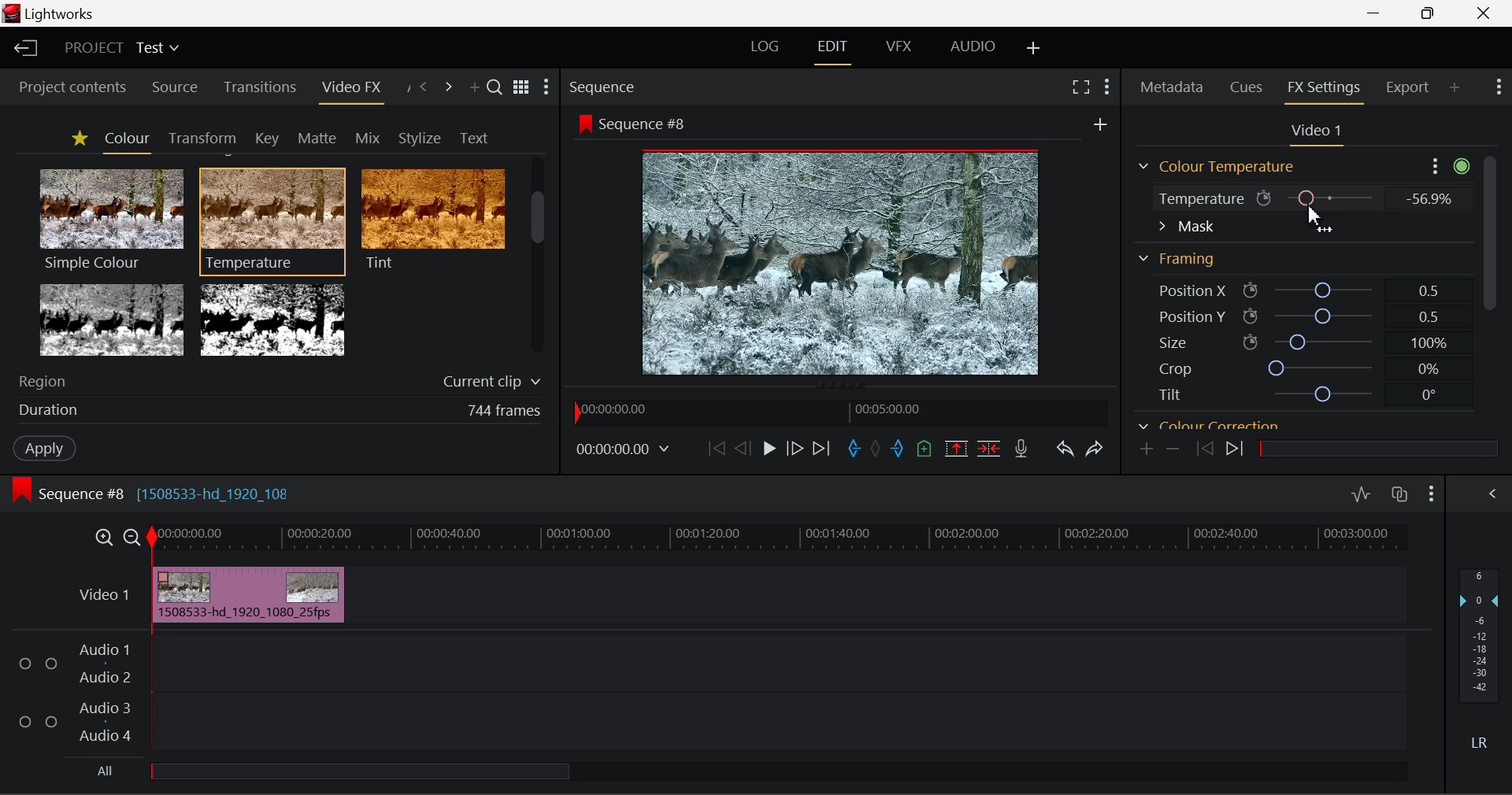  Describe the element at coordinates (767, 46) in the screenshot. I see `LOG Layout` at that location.